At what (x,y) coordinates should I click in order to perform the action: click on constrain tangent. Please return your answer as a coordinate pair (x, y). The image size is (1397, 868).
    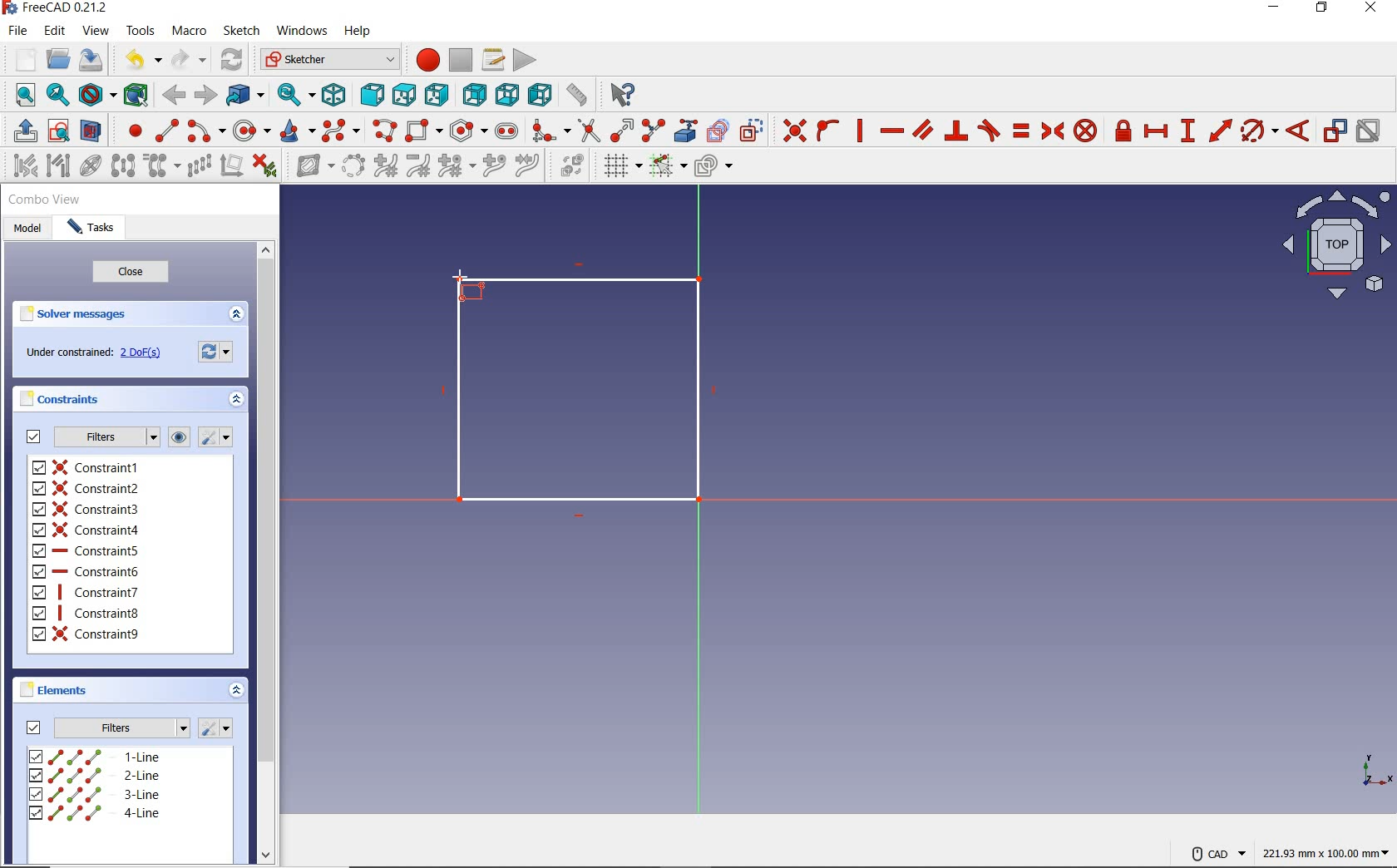
    Looking at the image, I should click on (990, 131).